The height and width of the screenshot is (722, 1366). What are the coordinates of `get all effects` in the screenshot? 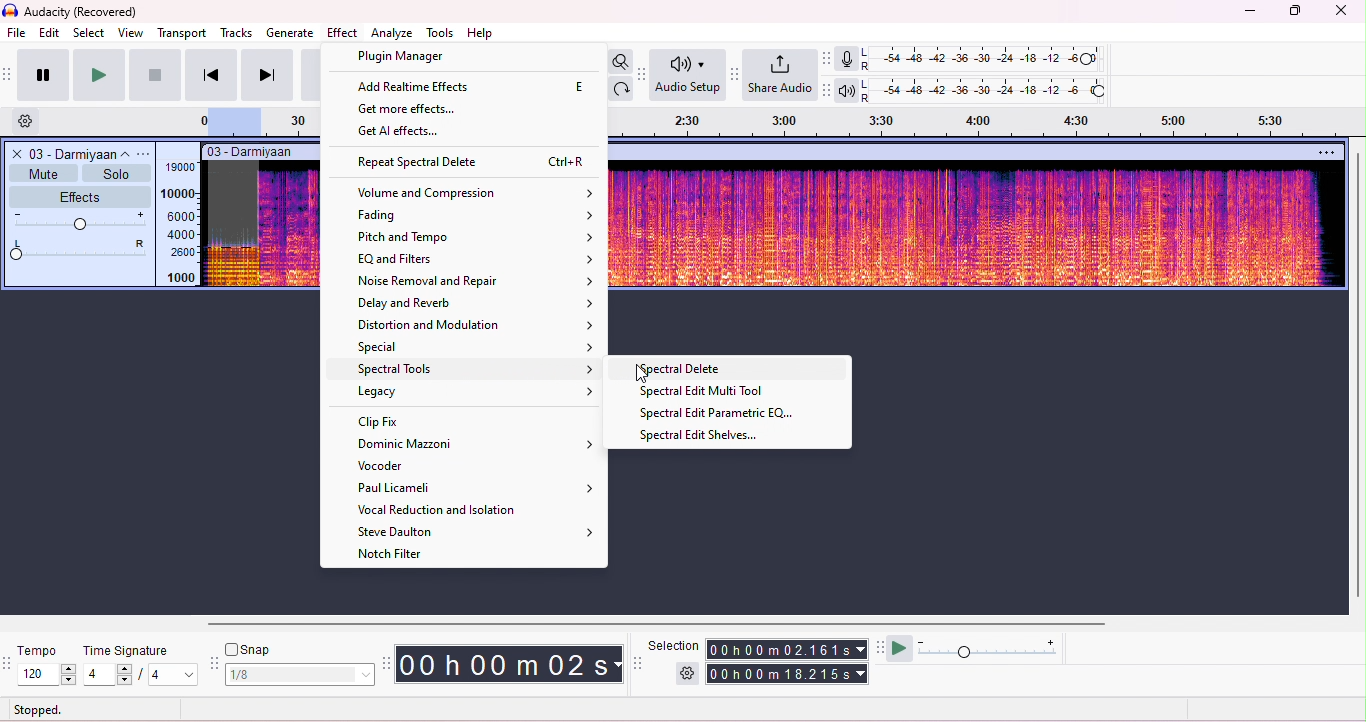 It's located at (450, 90).